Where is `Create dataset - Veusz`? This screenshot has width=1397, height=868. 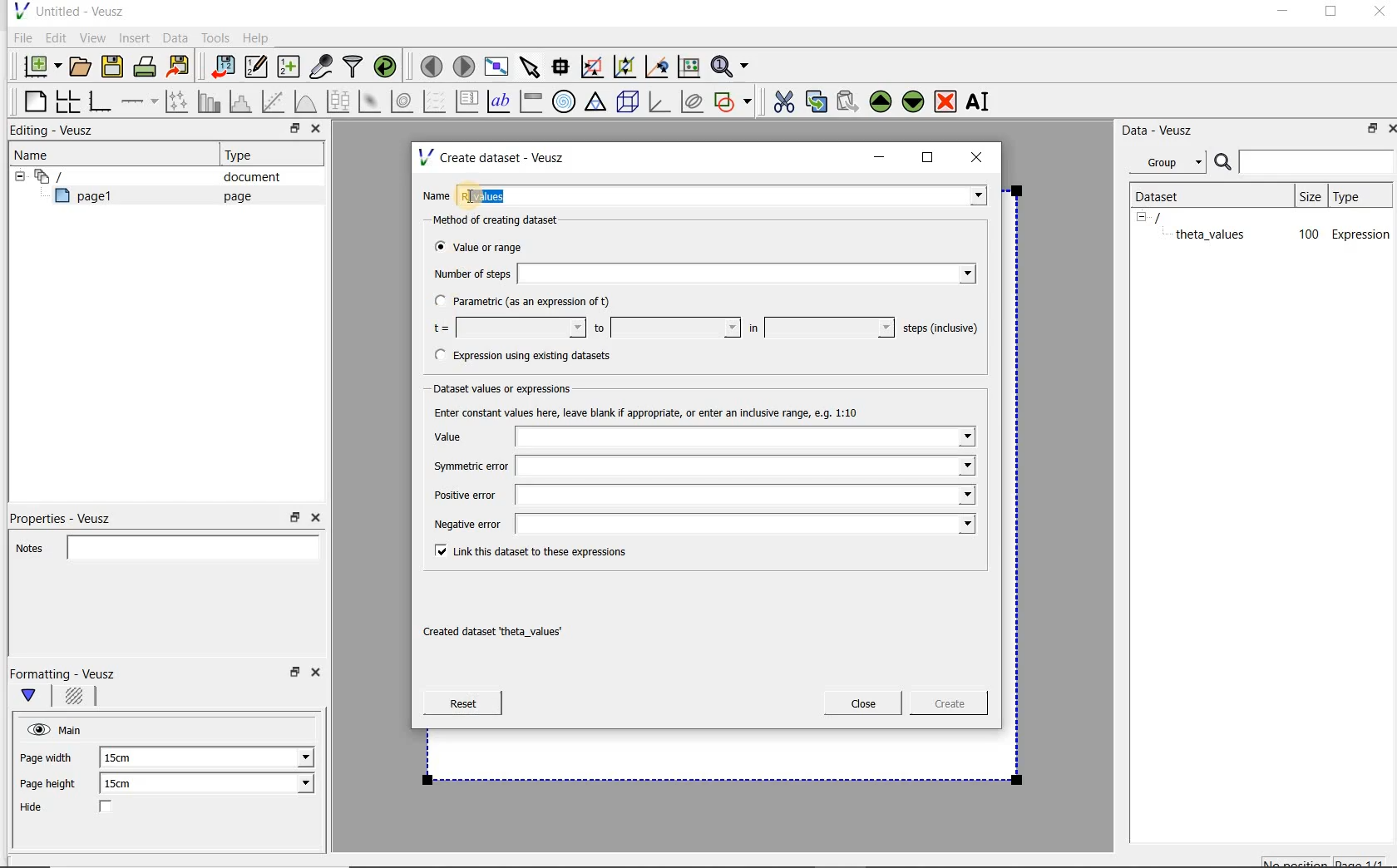 Create dataset - Veusz is located at coordinates (494, 157).